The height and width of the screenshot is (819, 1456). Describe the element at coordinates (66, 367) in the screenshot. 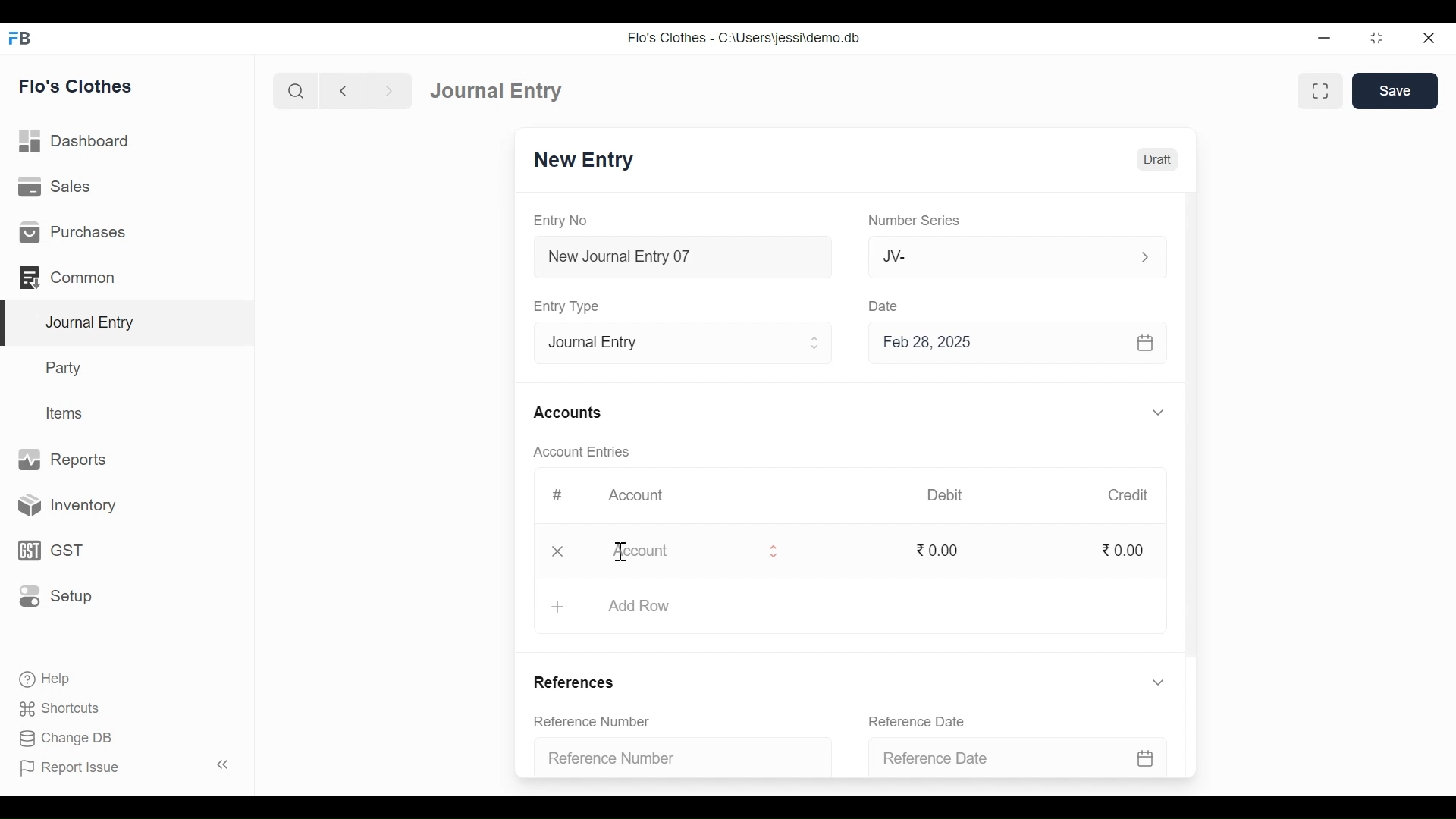

I see `Party` at that location.